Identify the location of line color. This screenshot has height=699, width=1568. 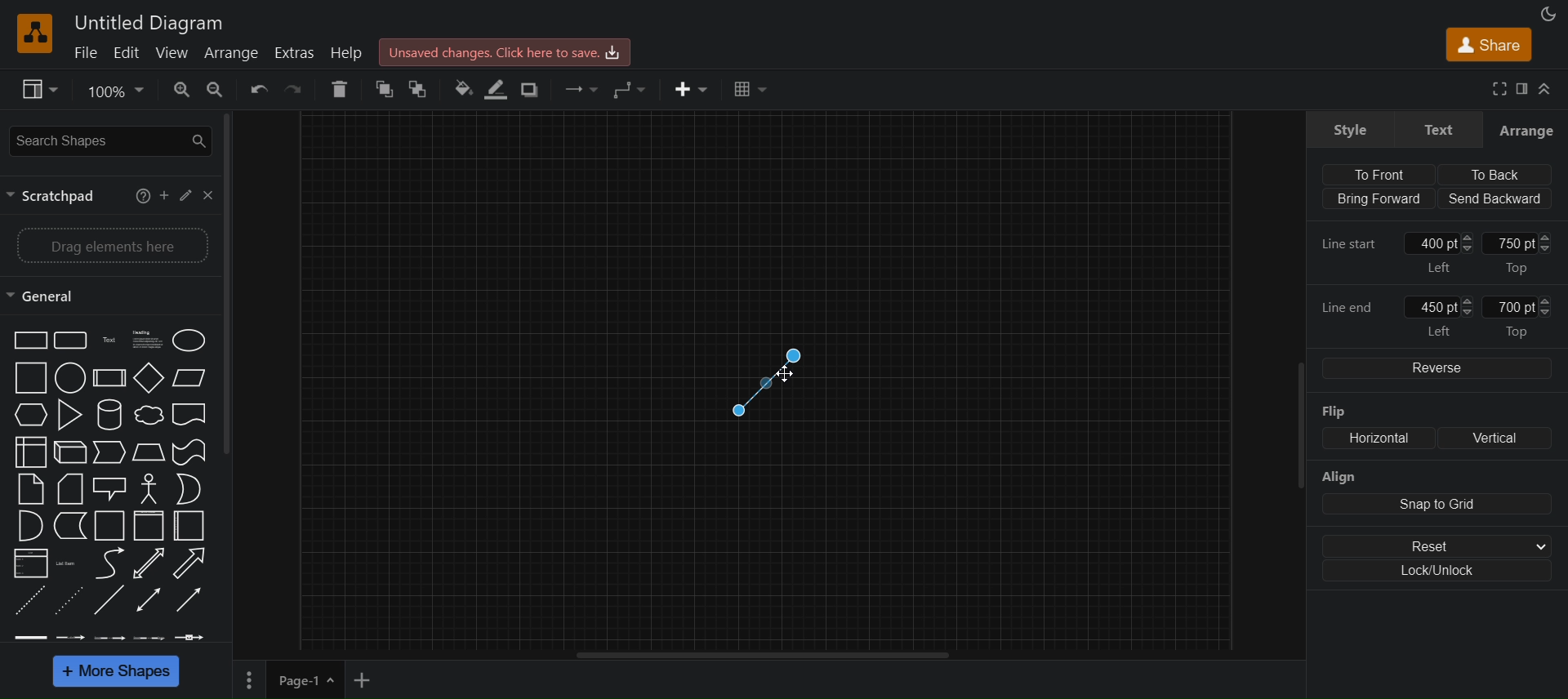
(497, 88).